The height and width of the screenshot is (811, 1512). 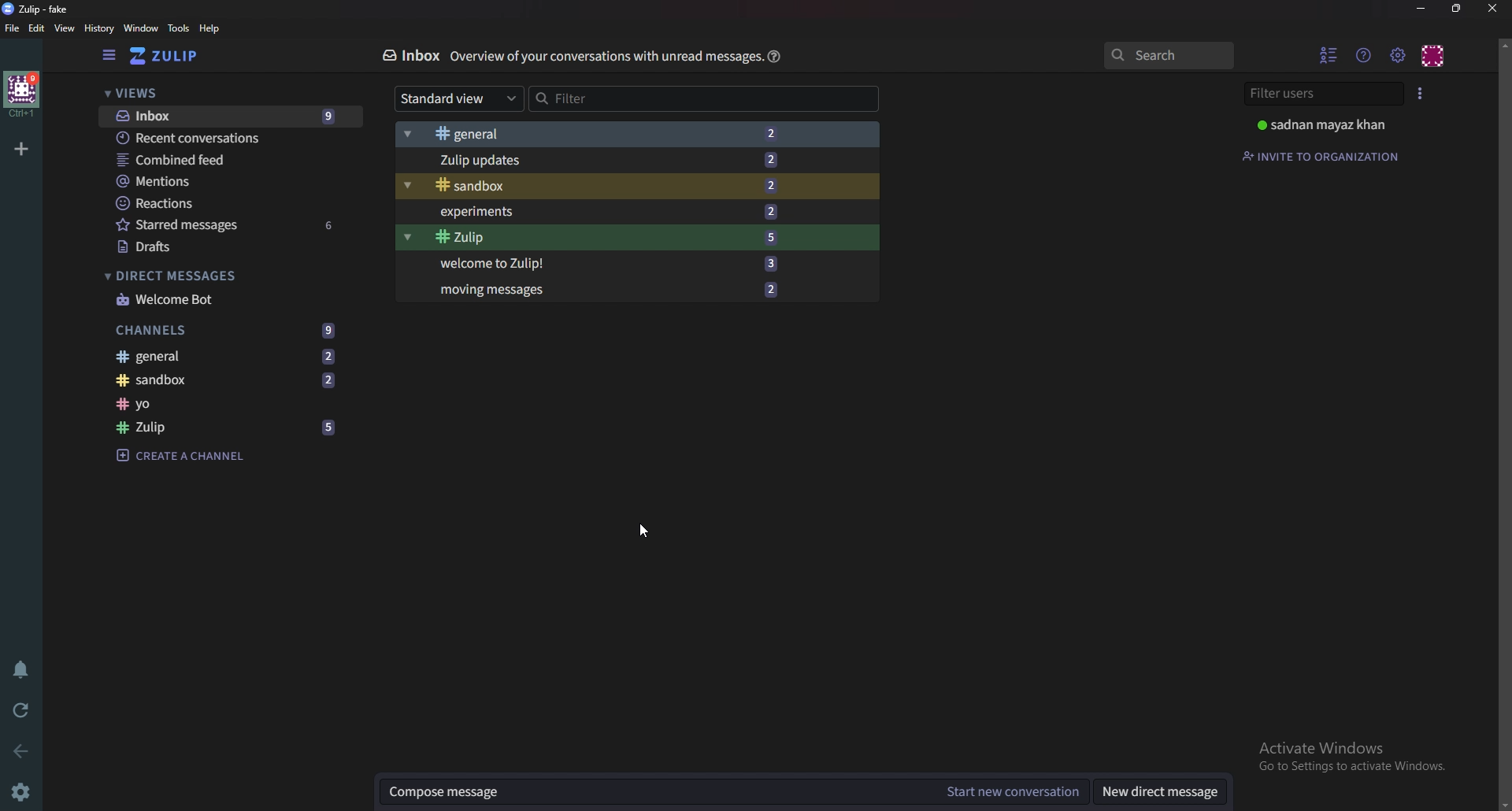 What do you see at coordinates (220, 139) in the screenshot?
I see `Recent conversations` at bounding box center [220, 139].